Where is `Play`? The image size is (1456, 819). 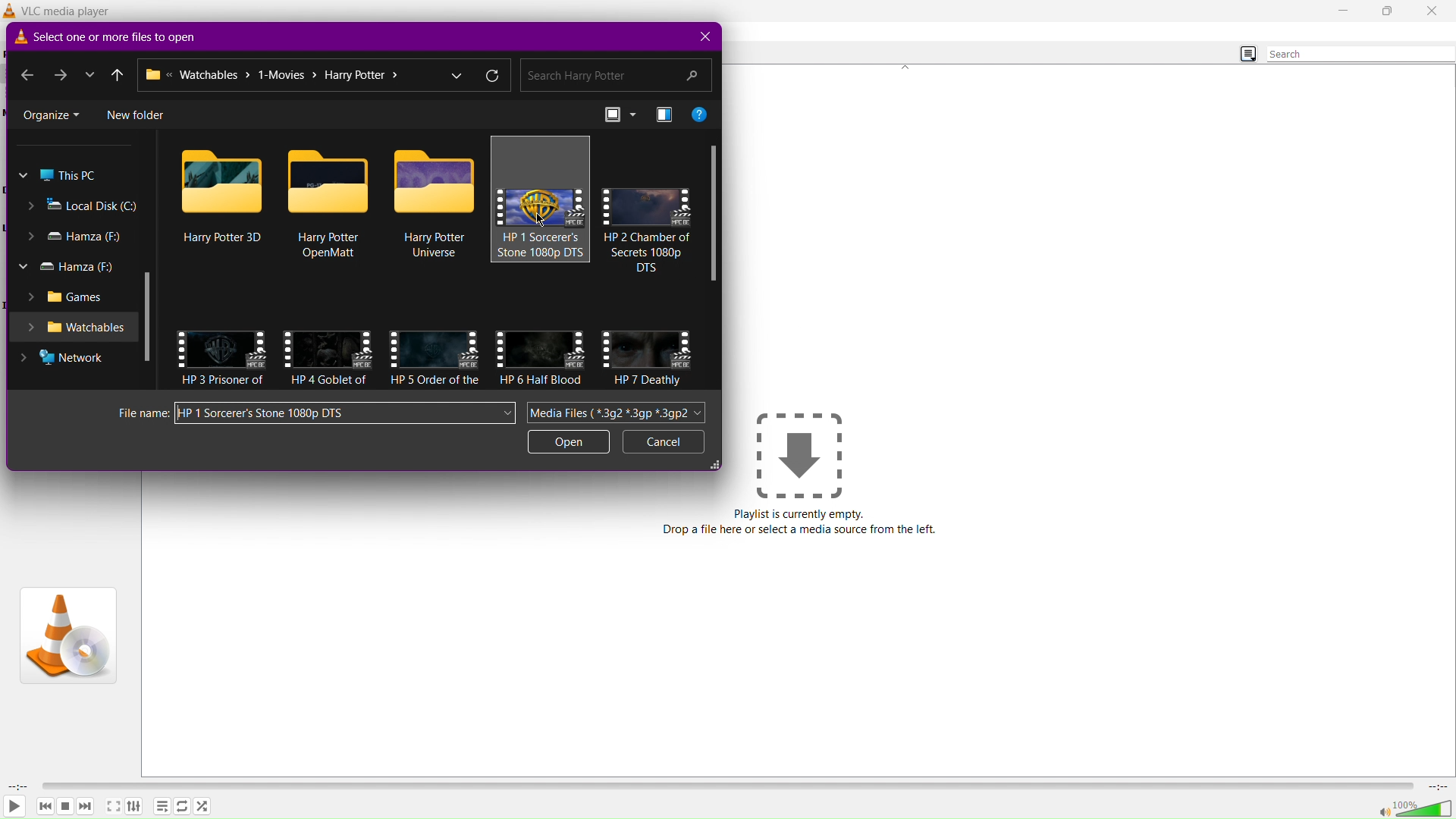
Play is located at coordinates (14, 808).